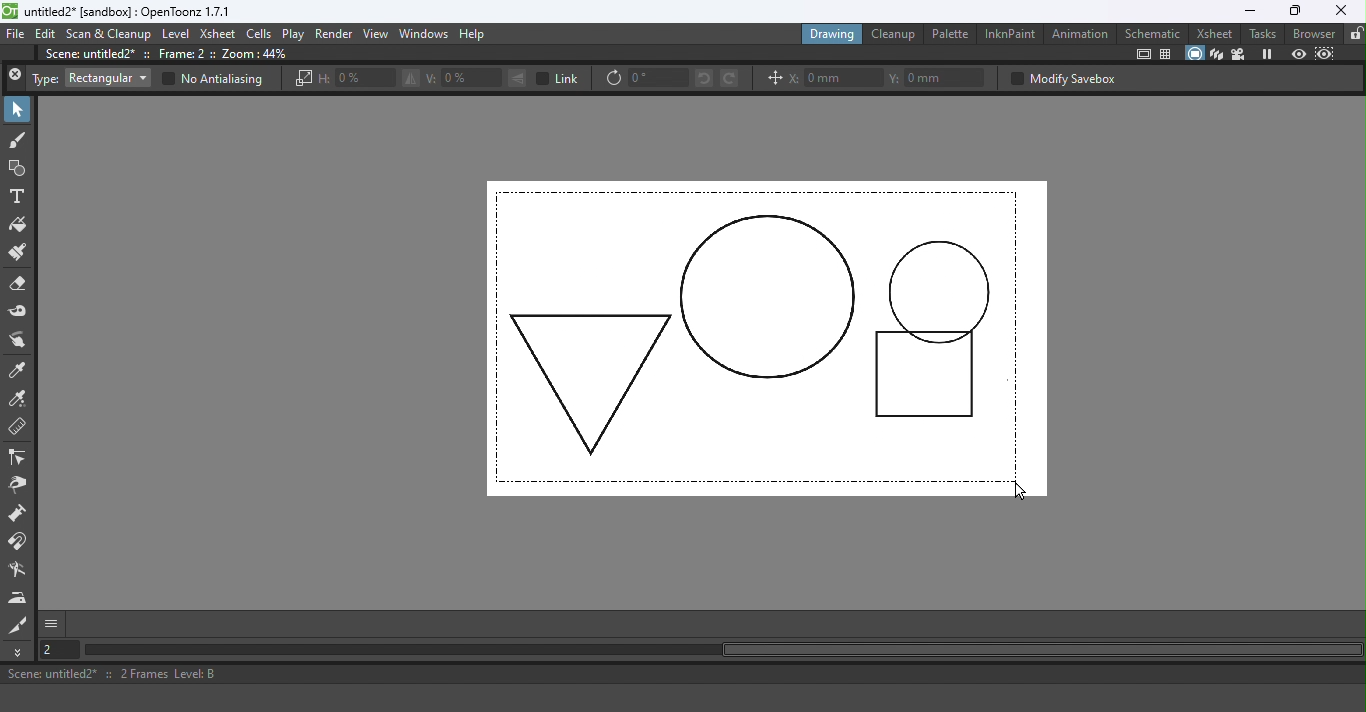 The width and height of the screenshot is (1366, 712). Describe the element at coordinates (1009, 33) in the screenshot. I see `InknPaint` at that location.